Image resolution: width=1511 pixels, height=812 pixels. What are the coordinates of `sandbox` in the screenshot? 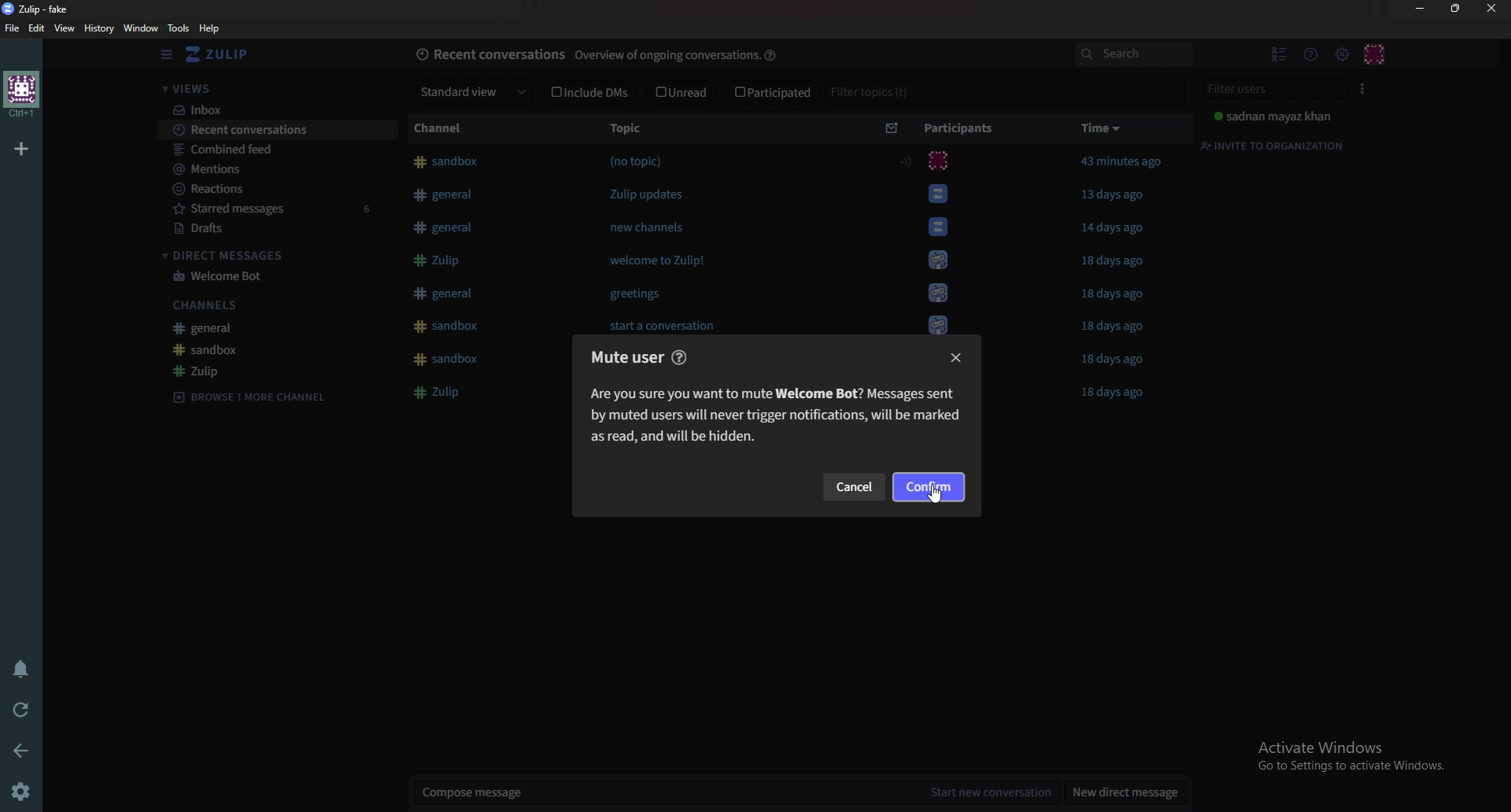 It's located at (276, 349).